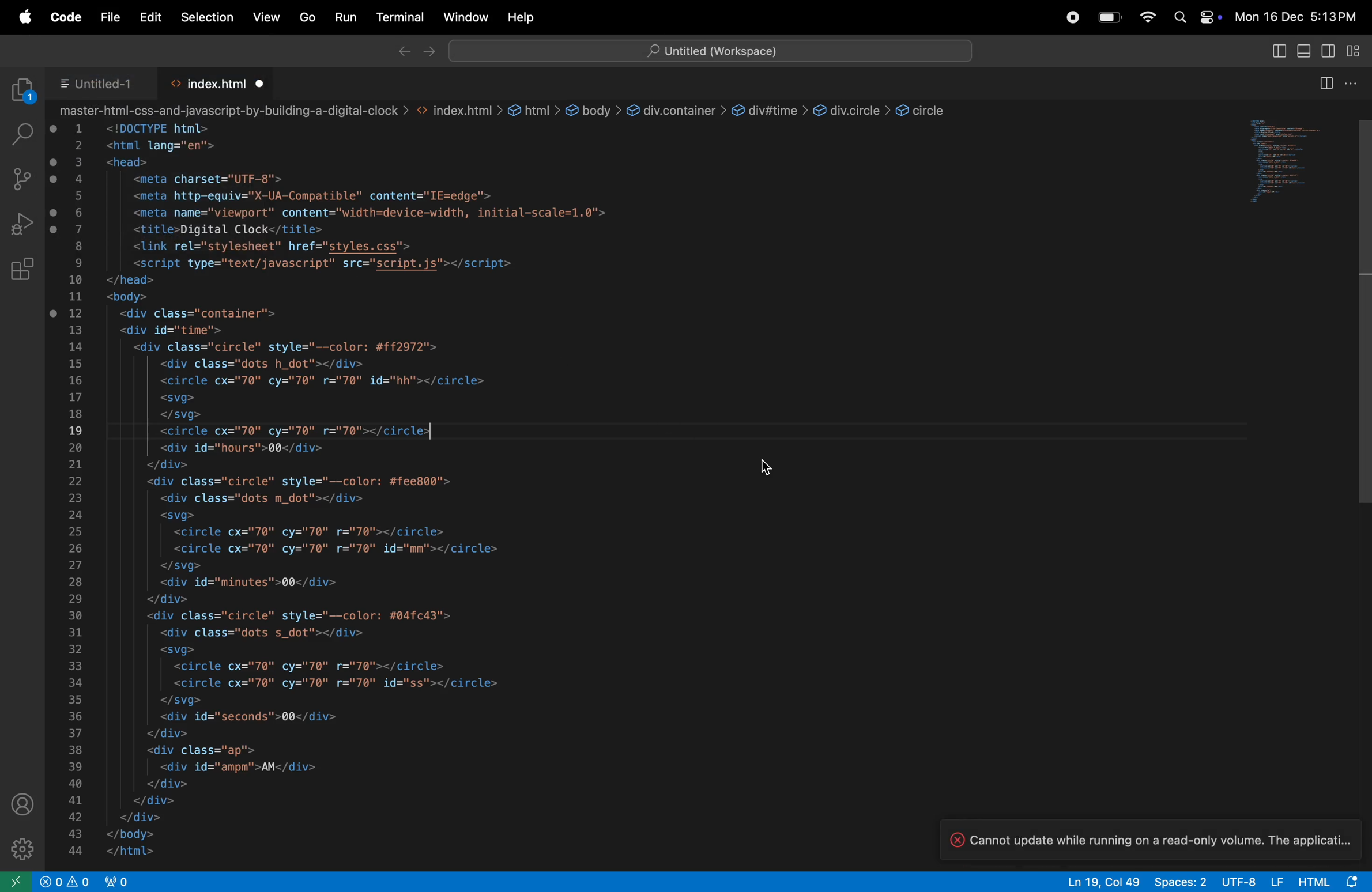 The width and height of the screenshot is (1372, 892). Describe the element at coordinates (367, 212) in the screenshot. I see `<meta name="viewport" content="width=device-width, initial-scale=1.0">` at that location.